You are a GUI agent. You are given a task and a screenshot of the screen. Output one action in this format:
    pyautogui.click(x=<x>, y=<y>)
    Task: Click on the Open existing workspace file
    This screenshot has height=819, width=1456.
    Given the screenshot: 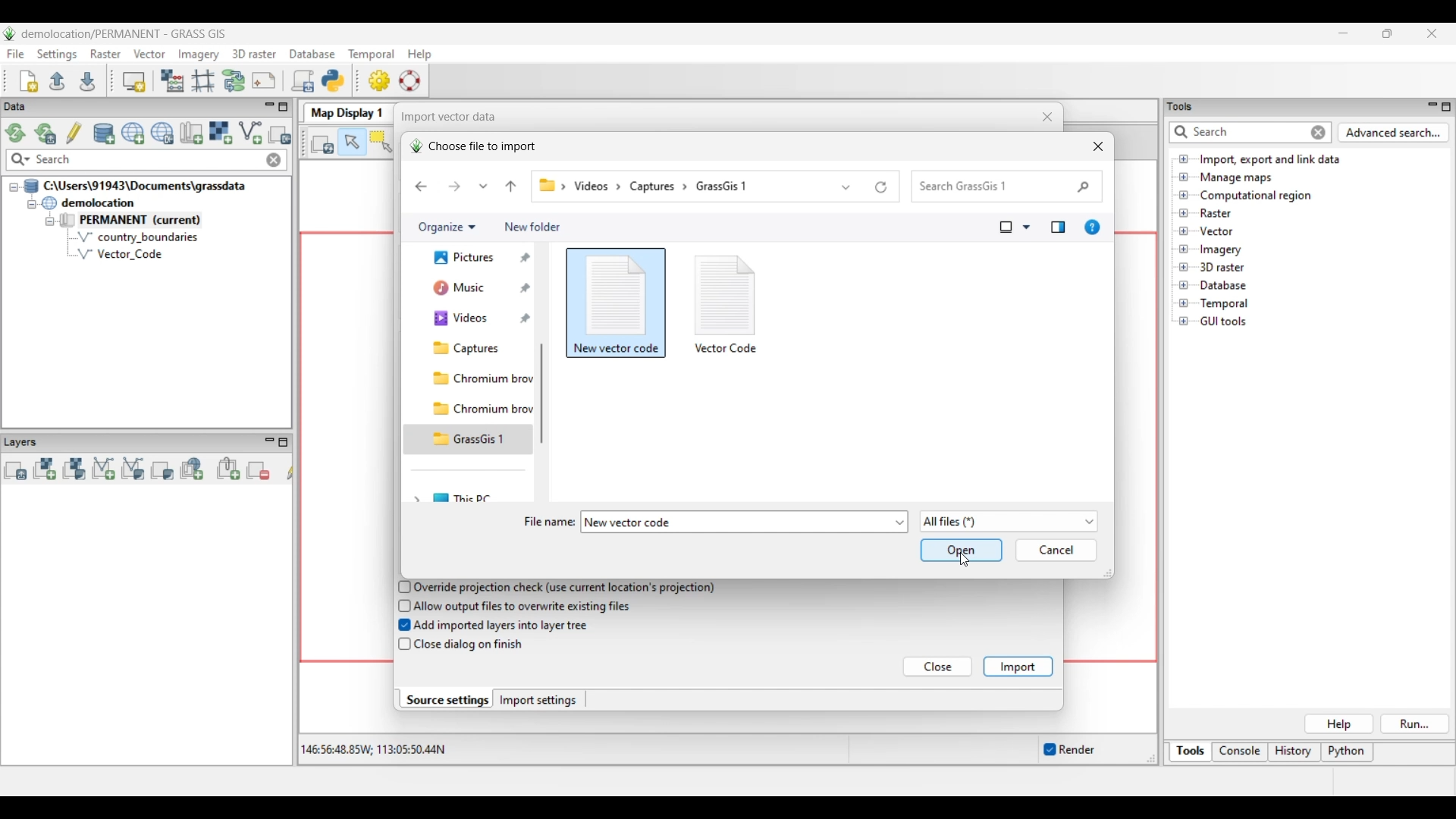 What is the action you would take?
    pyautogui.click(x=57, y=80)
    